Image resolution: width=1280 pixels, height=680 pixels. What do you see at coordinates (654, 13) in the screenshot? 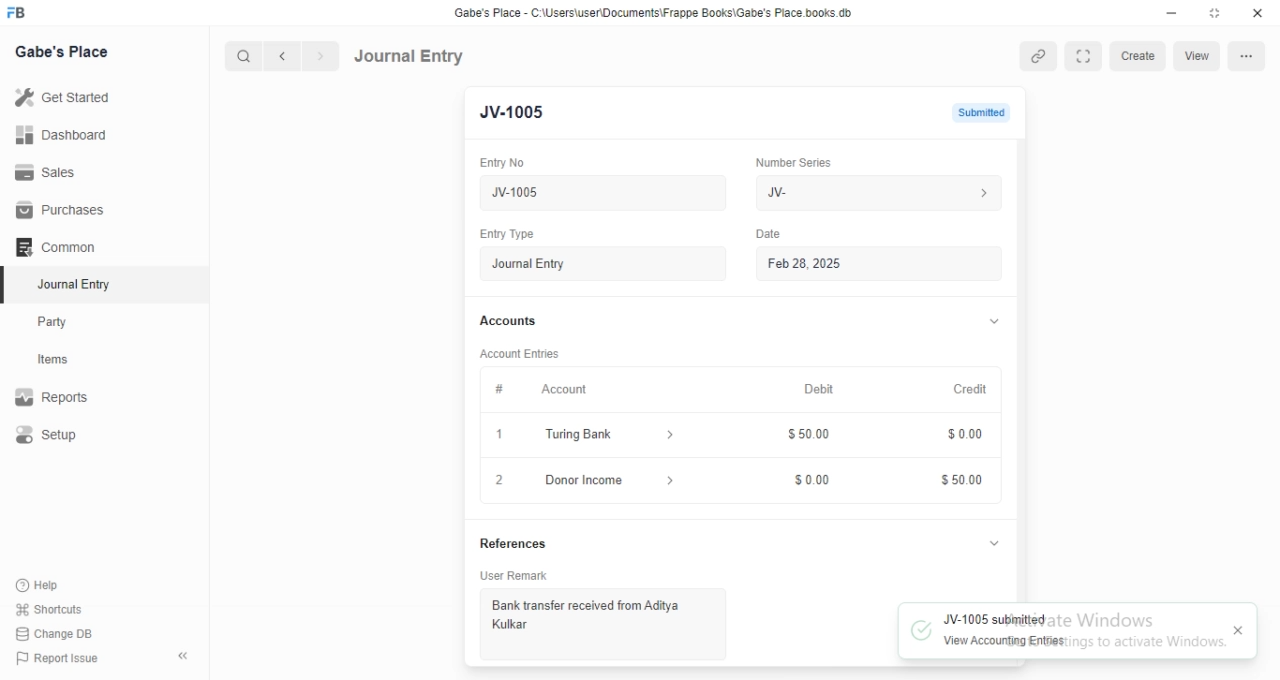
I see `Gabe's Place - C\Users\userDocuments Frappe Books\Gabe's Place books db.` at bounding box center [654, 13].